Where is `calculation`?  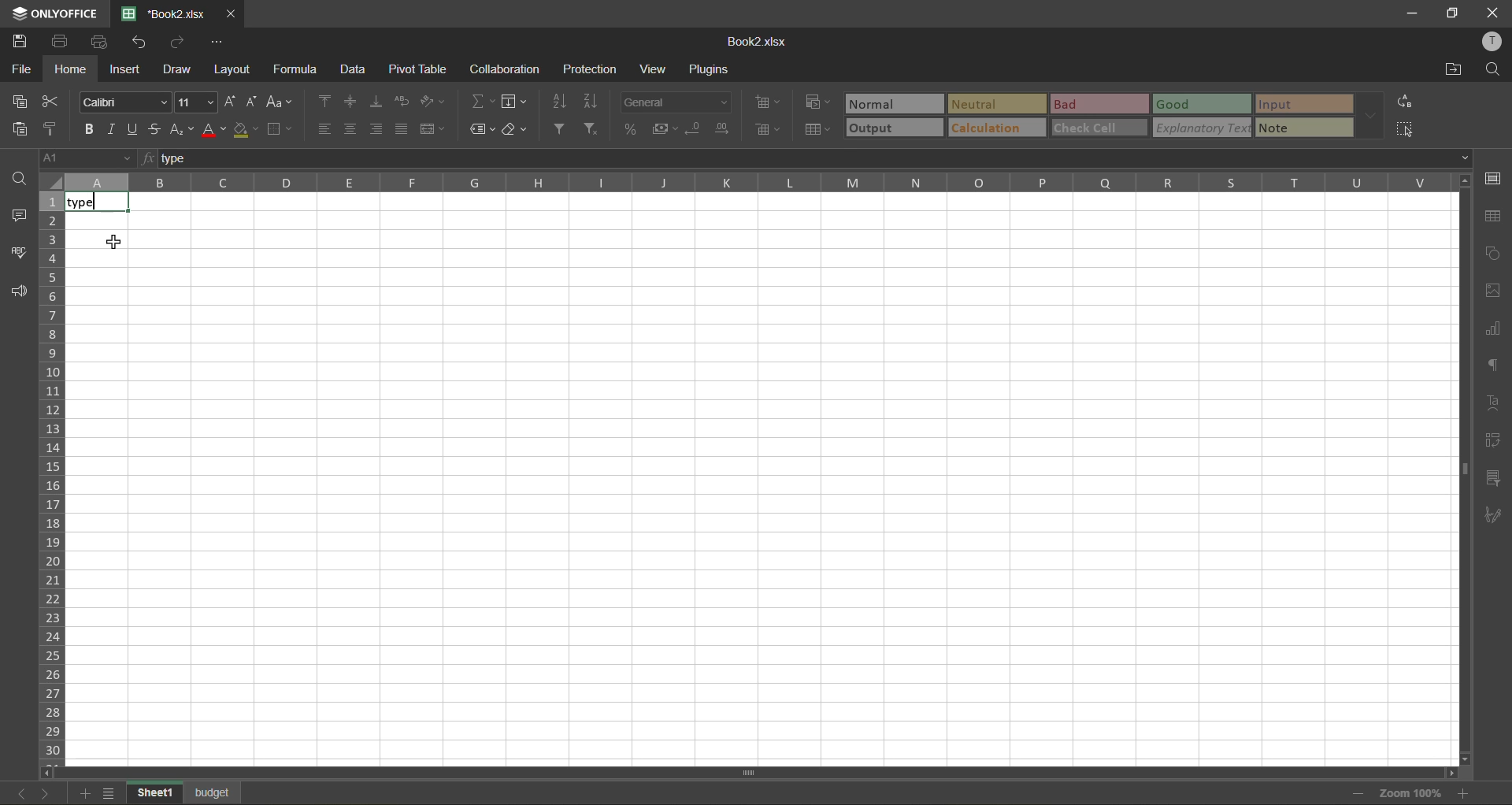 calculation is located at coordinates (995, 130).